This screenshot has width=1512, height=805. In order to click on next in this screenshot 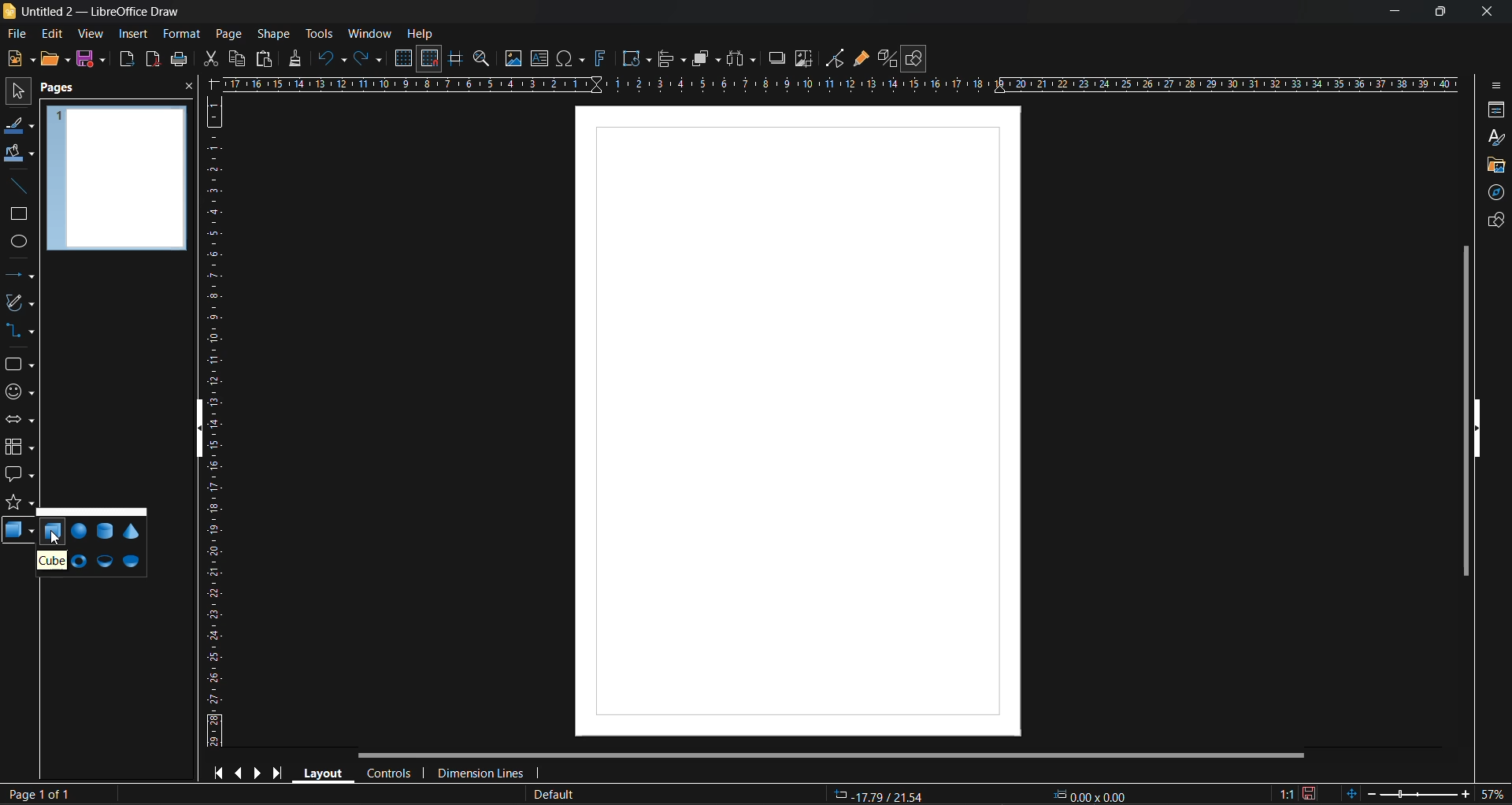, I will do `click(259, 773)`.